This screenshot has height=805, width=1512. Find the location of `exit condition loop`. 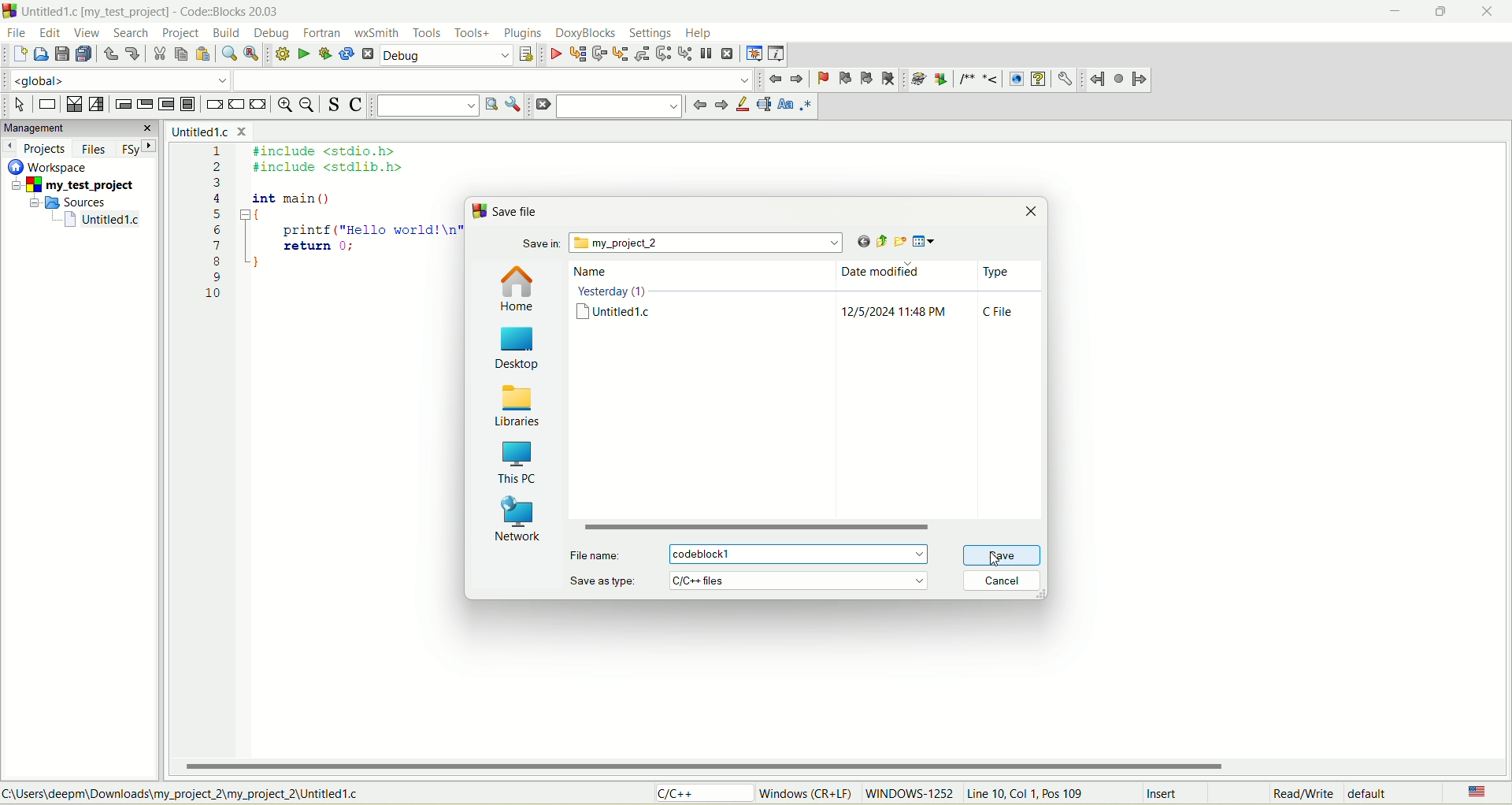

exit condition loop is located at coordinates (145, 105).